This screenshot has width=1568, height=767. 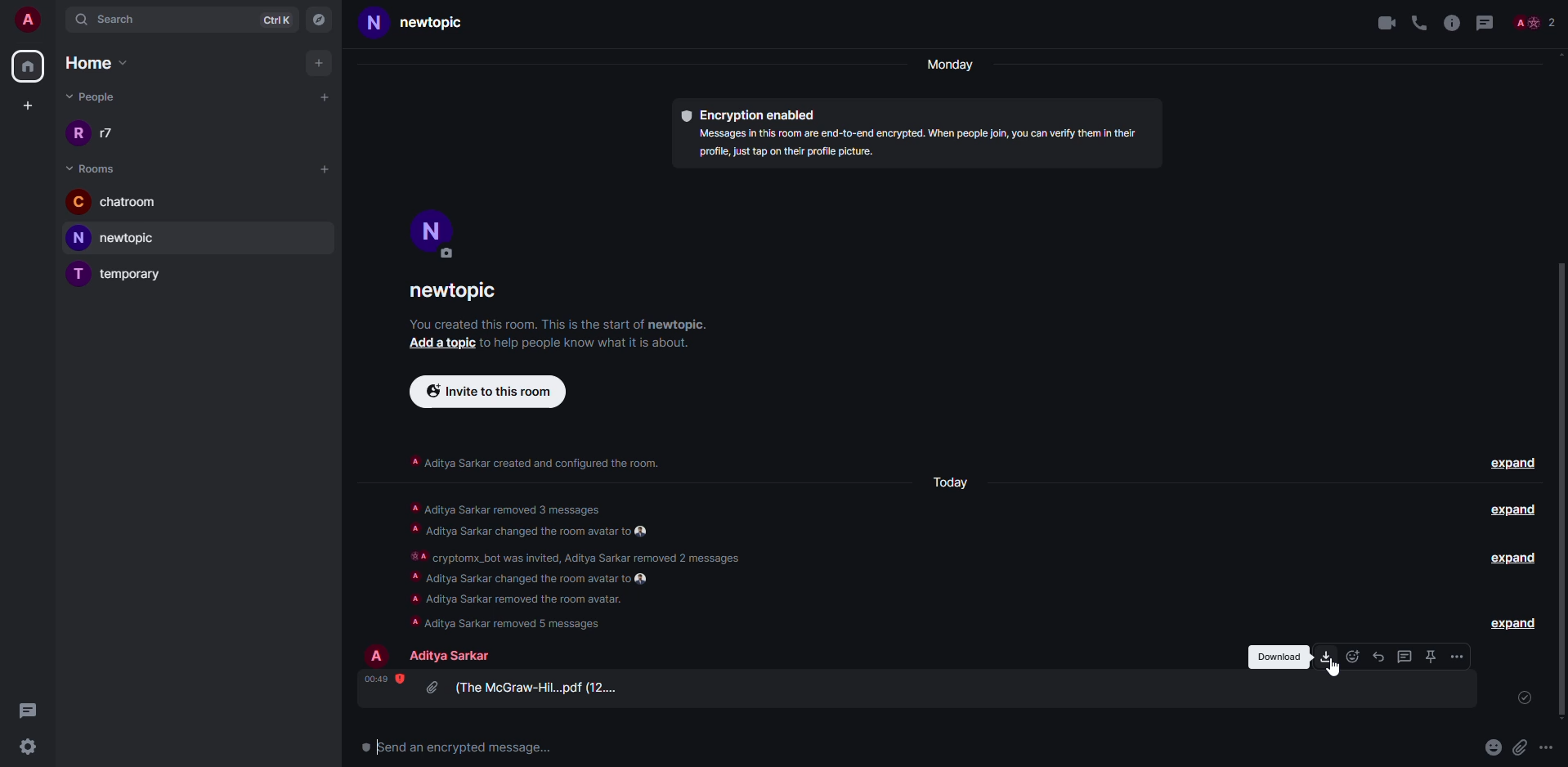 I want to click on options, so click(x=1458, y=656).